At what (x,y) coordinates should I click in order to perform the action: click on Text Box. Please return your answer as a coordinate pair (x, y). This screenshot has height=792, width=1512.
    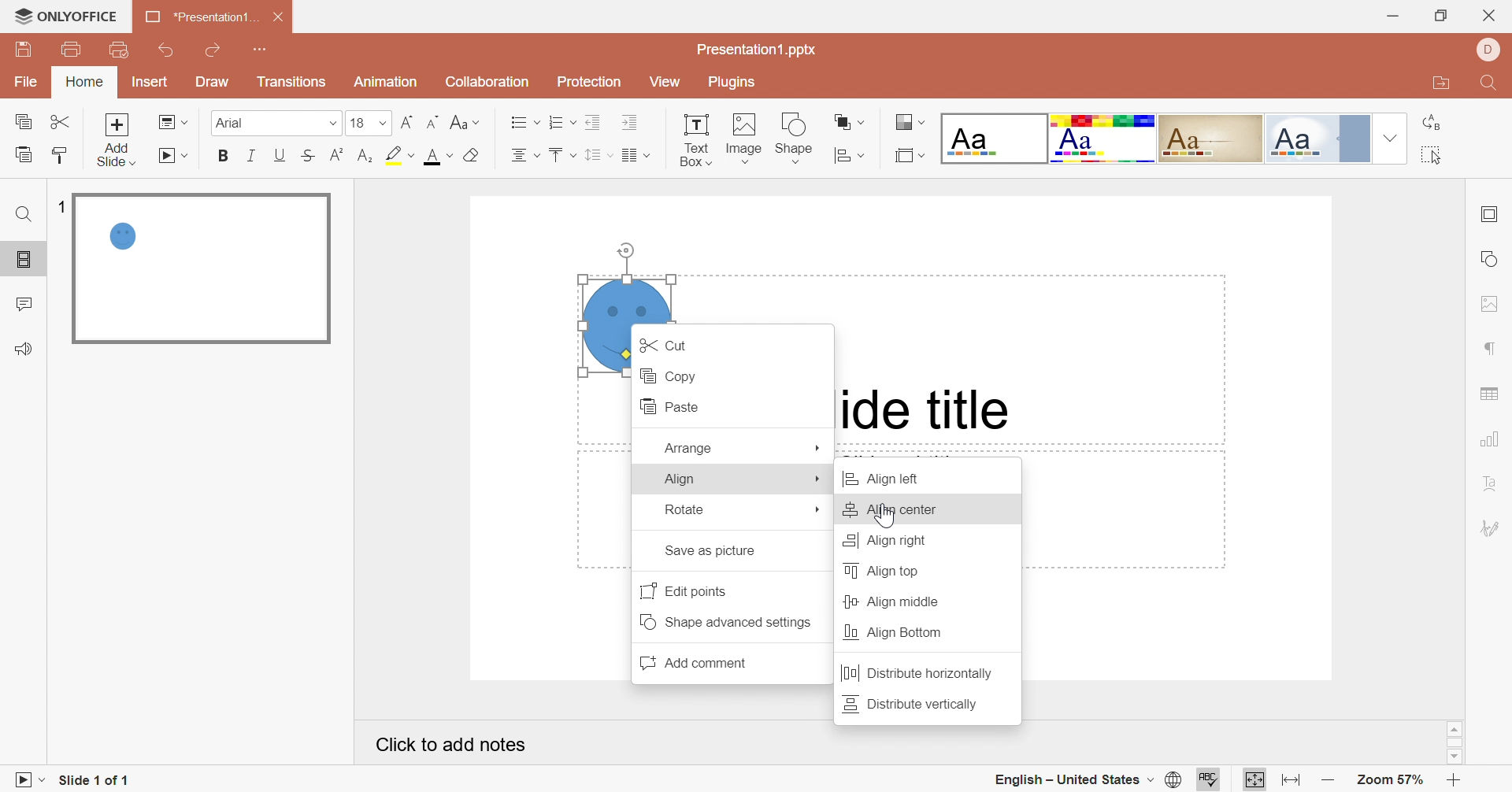
    Looking at the image, I should click on (696, 138).